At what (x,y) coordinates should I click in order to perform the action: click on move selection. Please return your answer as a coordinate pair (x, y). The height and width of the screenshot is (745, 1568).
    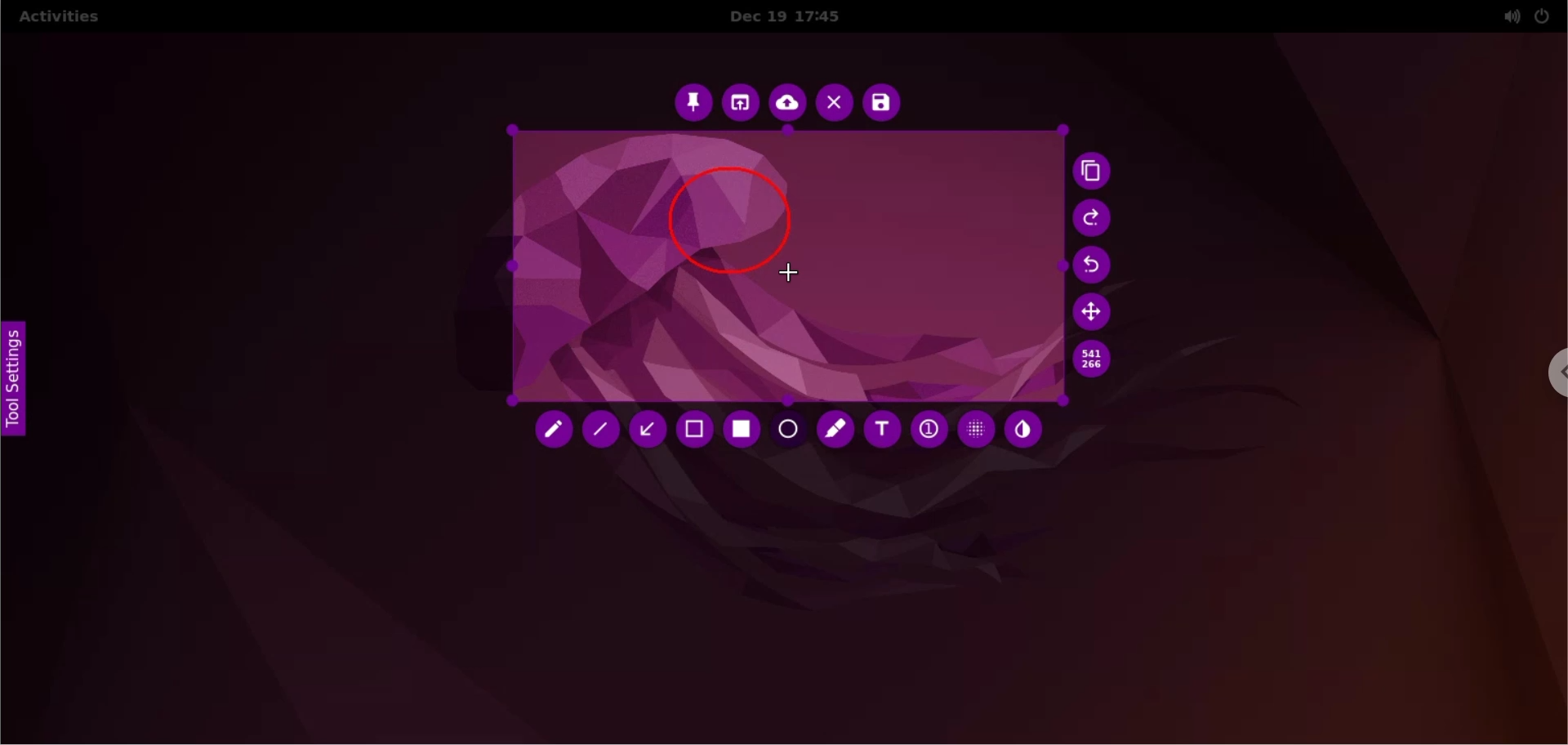
    Looking at the image, I should click on (1095, 311).